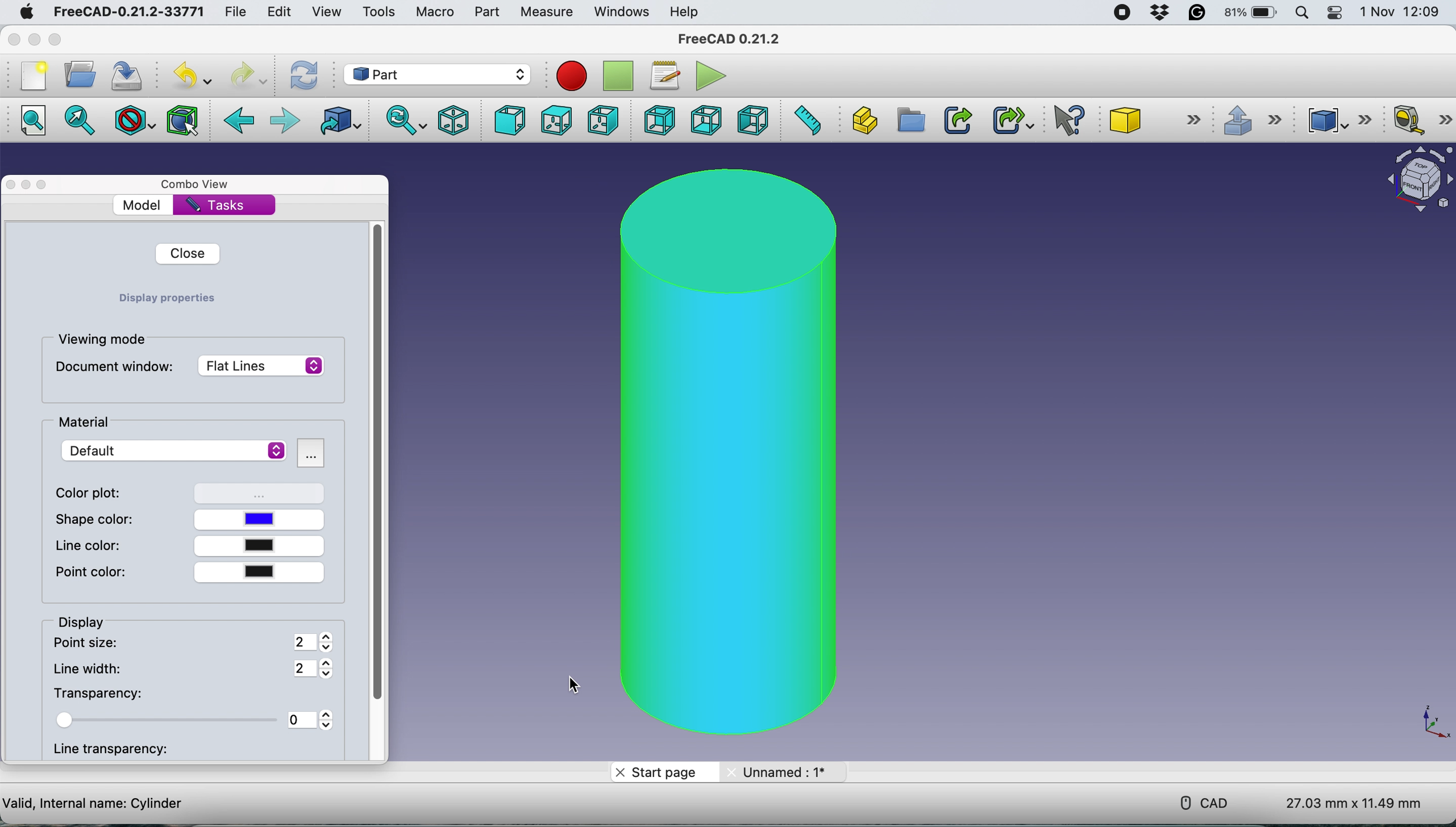 The width and height of the screenshot is (1456, 827). I want to click on grammarly, so click(1197, 14).